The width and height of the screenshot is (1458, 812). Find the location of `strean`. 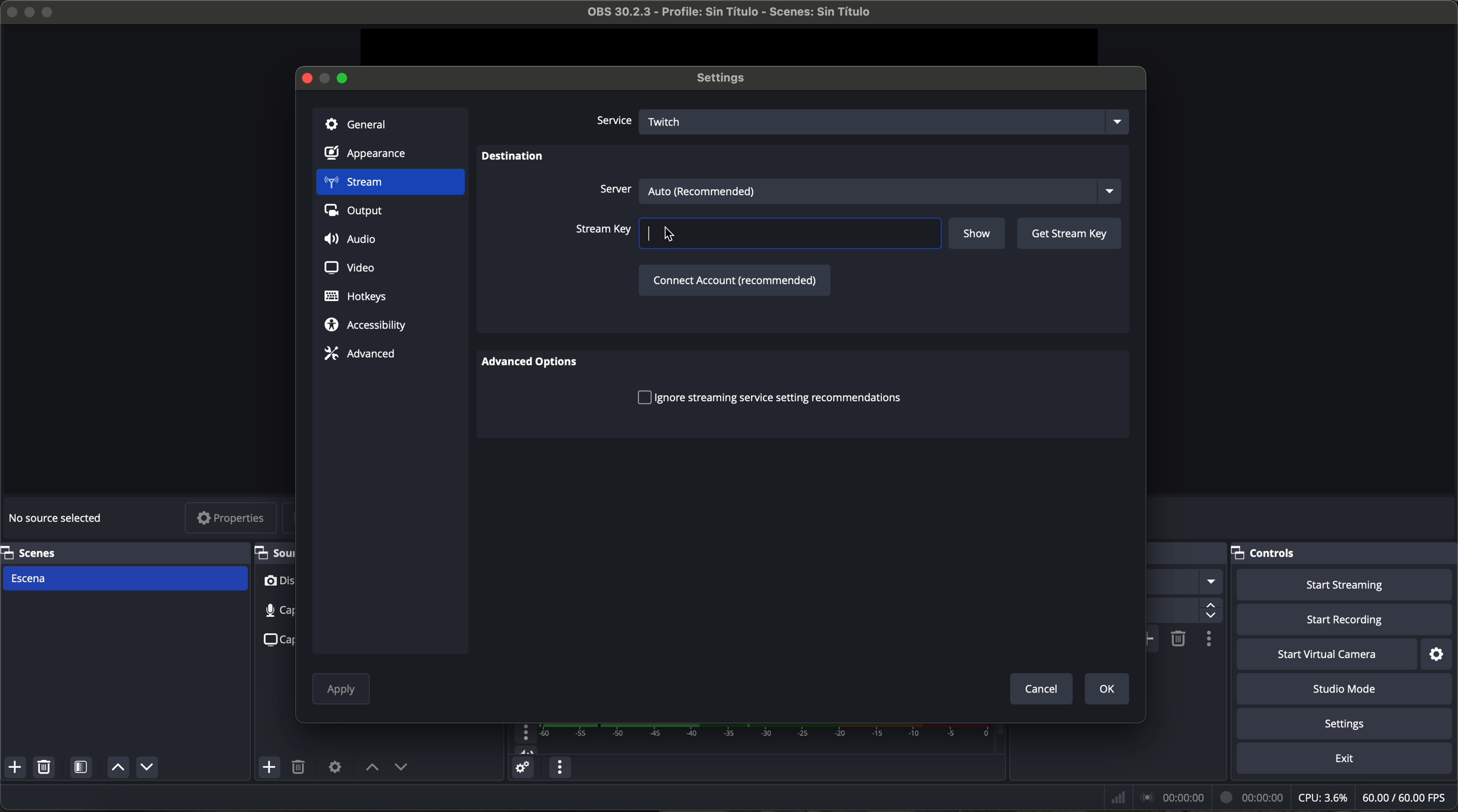

strean is located at coordinates (389, 183).